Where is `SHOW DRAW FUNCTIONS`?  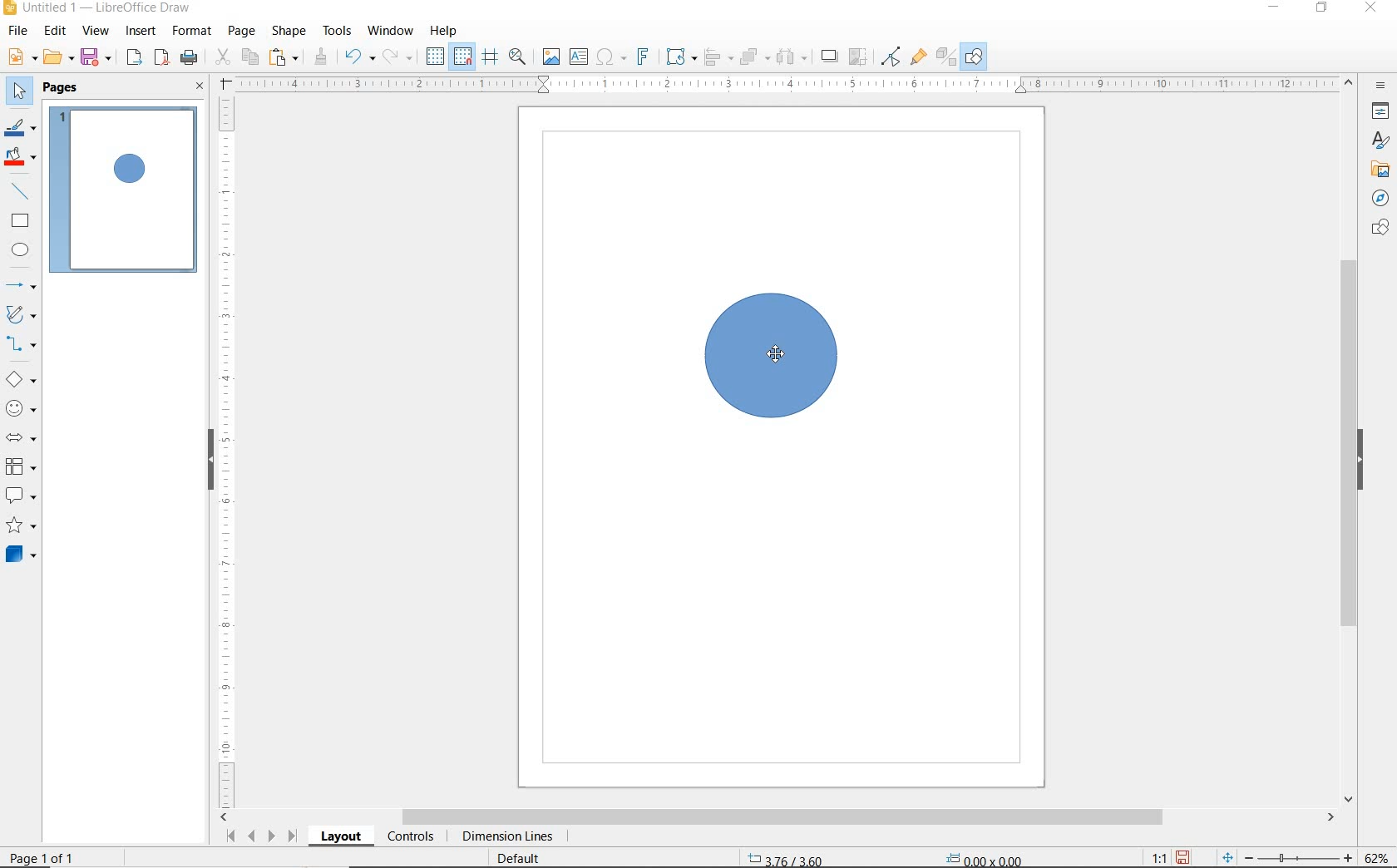
SHOW DRAW FUNCTIONS is located at coordinates (975, 57).